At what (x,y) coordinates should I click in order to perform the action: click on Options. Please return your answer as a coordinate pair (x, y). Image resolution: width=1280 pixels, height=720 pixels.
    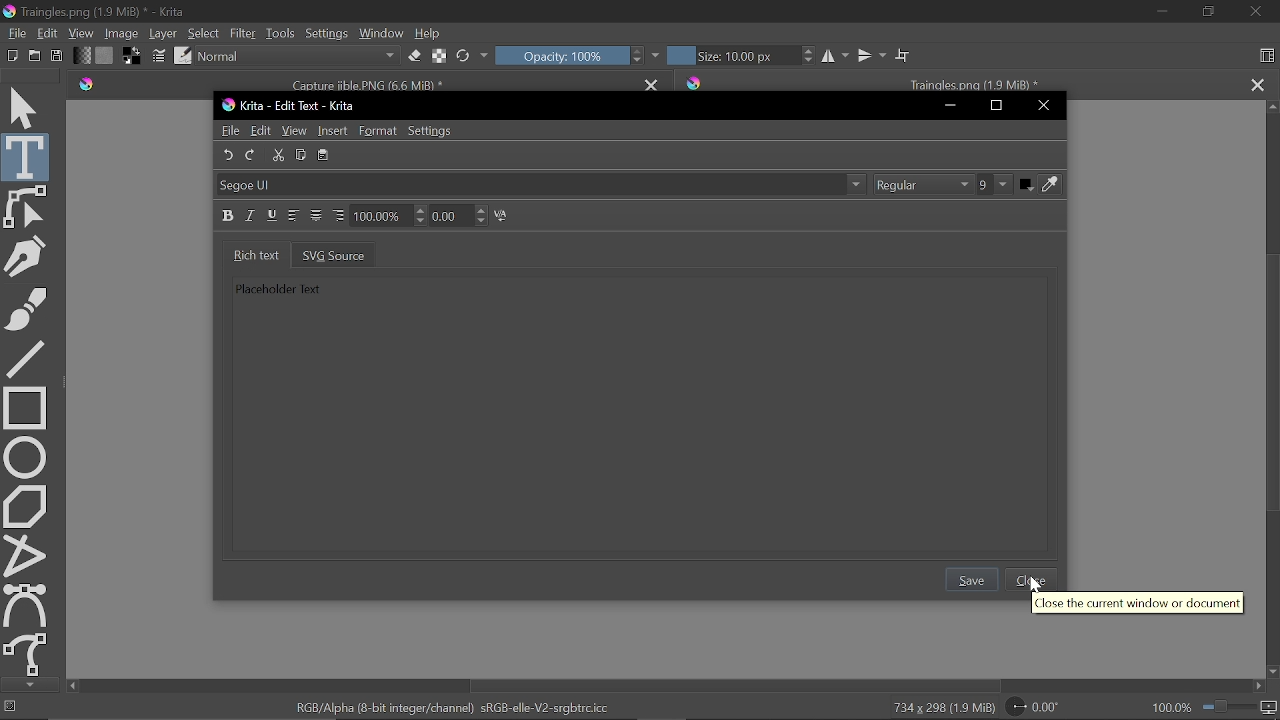
    Looking at the image, I should click on (857, 185).